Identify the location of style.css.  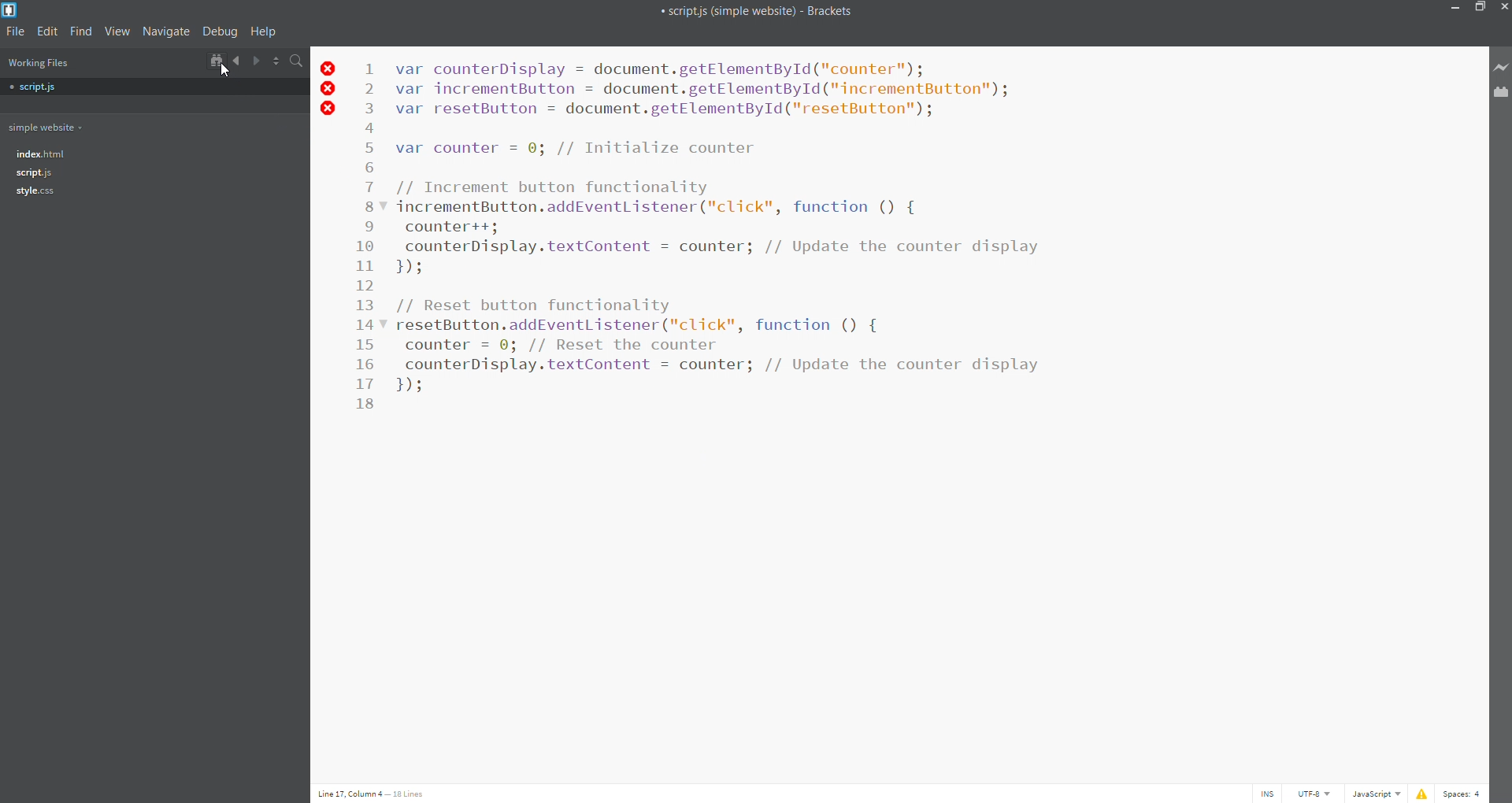
(35, 191).